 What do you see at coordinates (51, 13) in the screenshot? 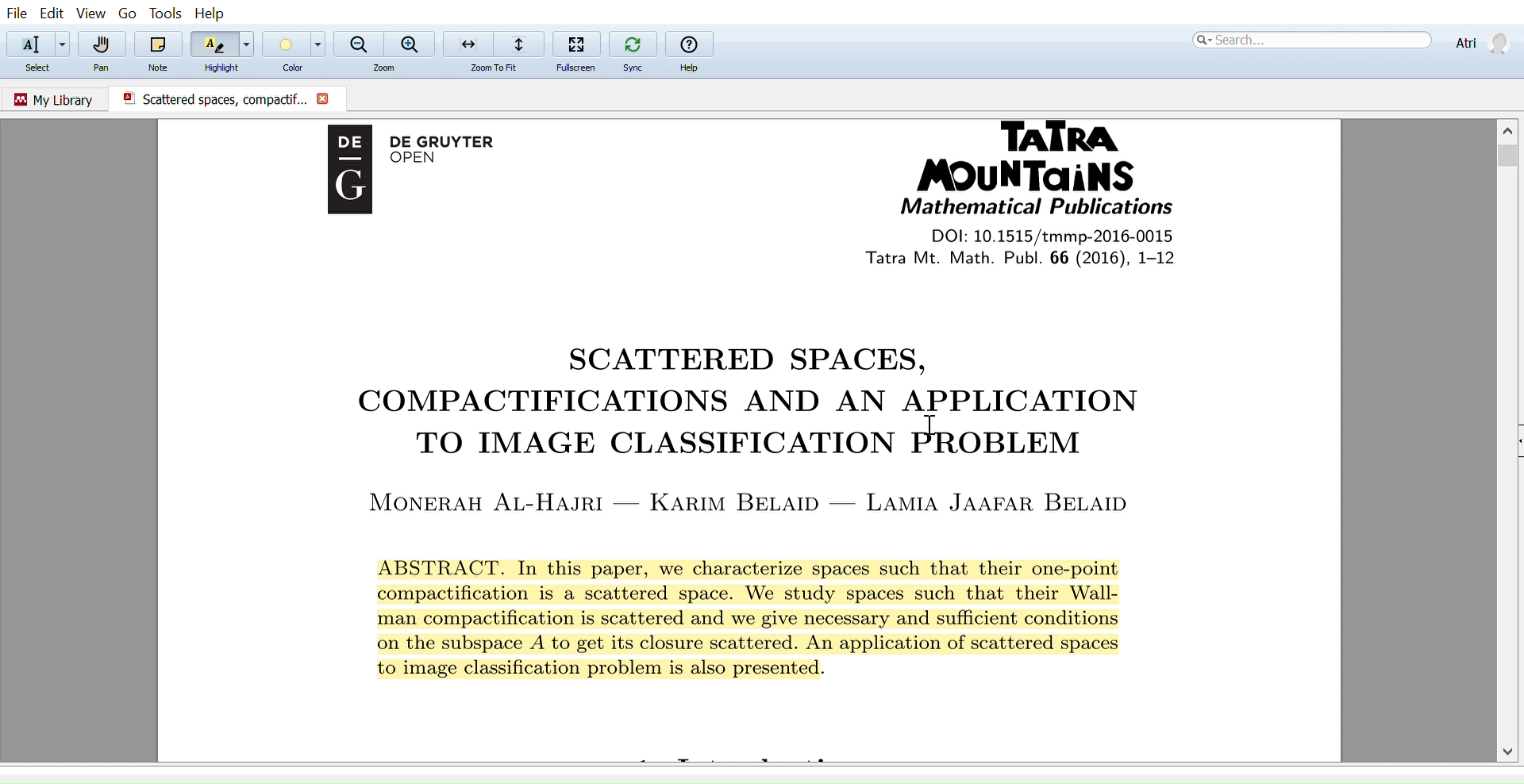
I see `Edit` at bounding box center [51, 13].